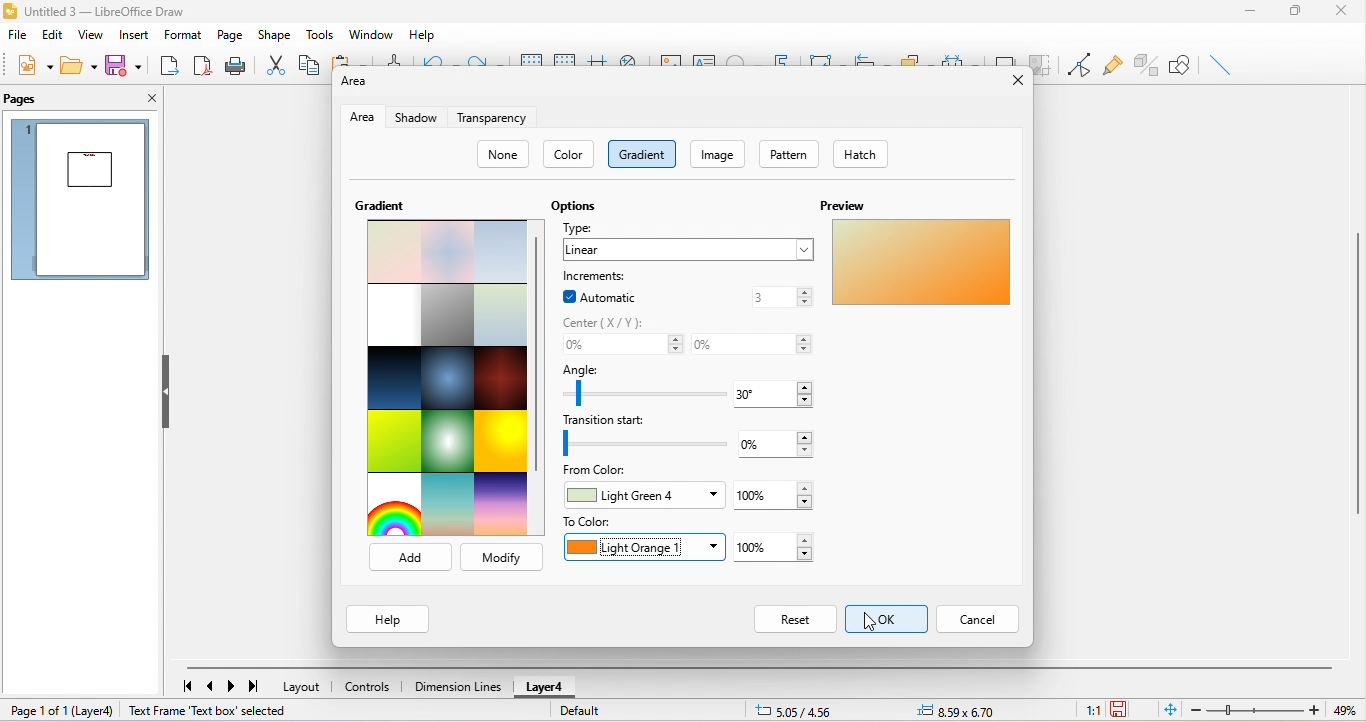 The height and width of the screenshot is (722, 1366). I want to click on sundown, so click(503, 504).